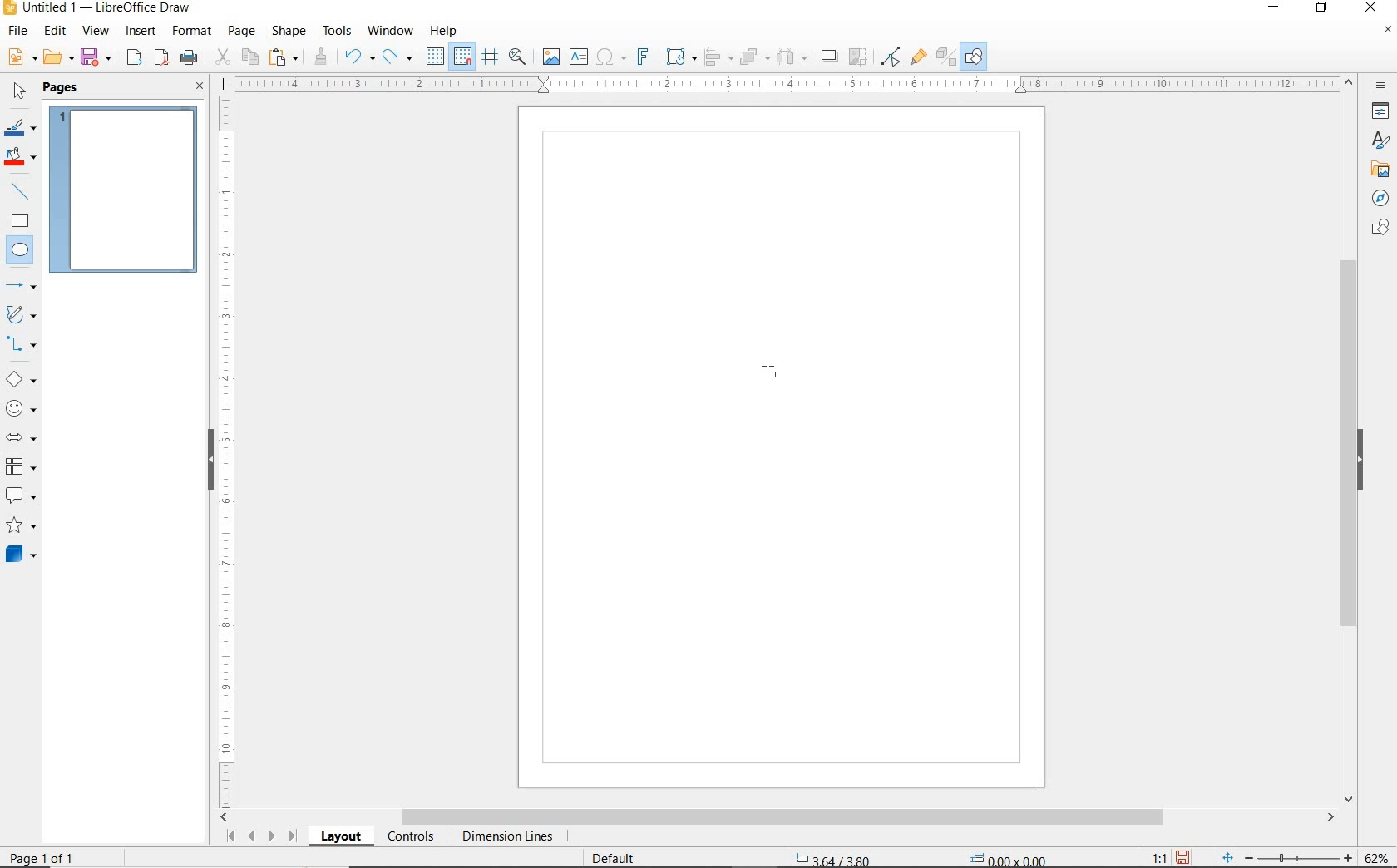 This screenshot has height=868, width=1397. What do you see at coordinates (98, 57) in the screenshot?
I see `SAVE` at bounding box center [98, 57].